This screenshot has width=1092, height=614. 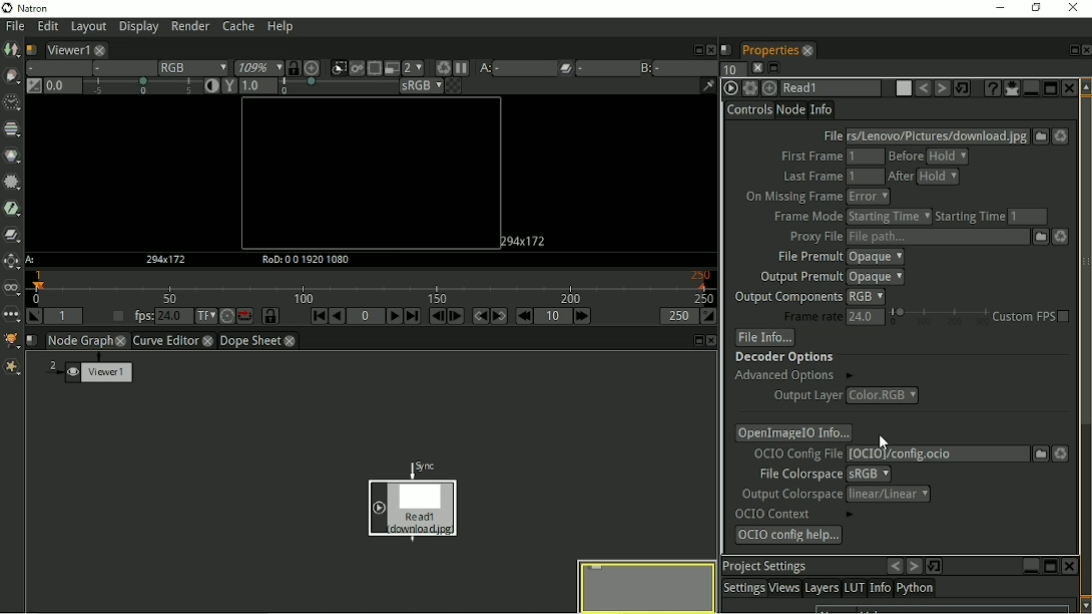 I want to click on File, so click(x=13, y=26).